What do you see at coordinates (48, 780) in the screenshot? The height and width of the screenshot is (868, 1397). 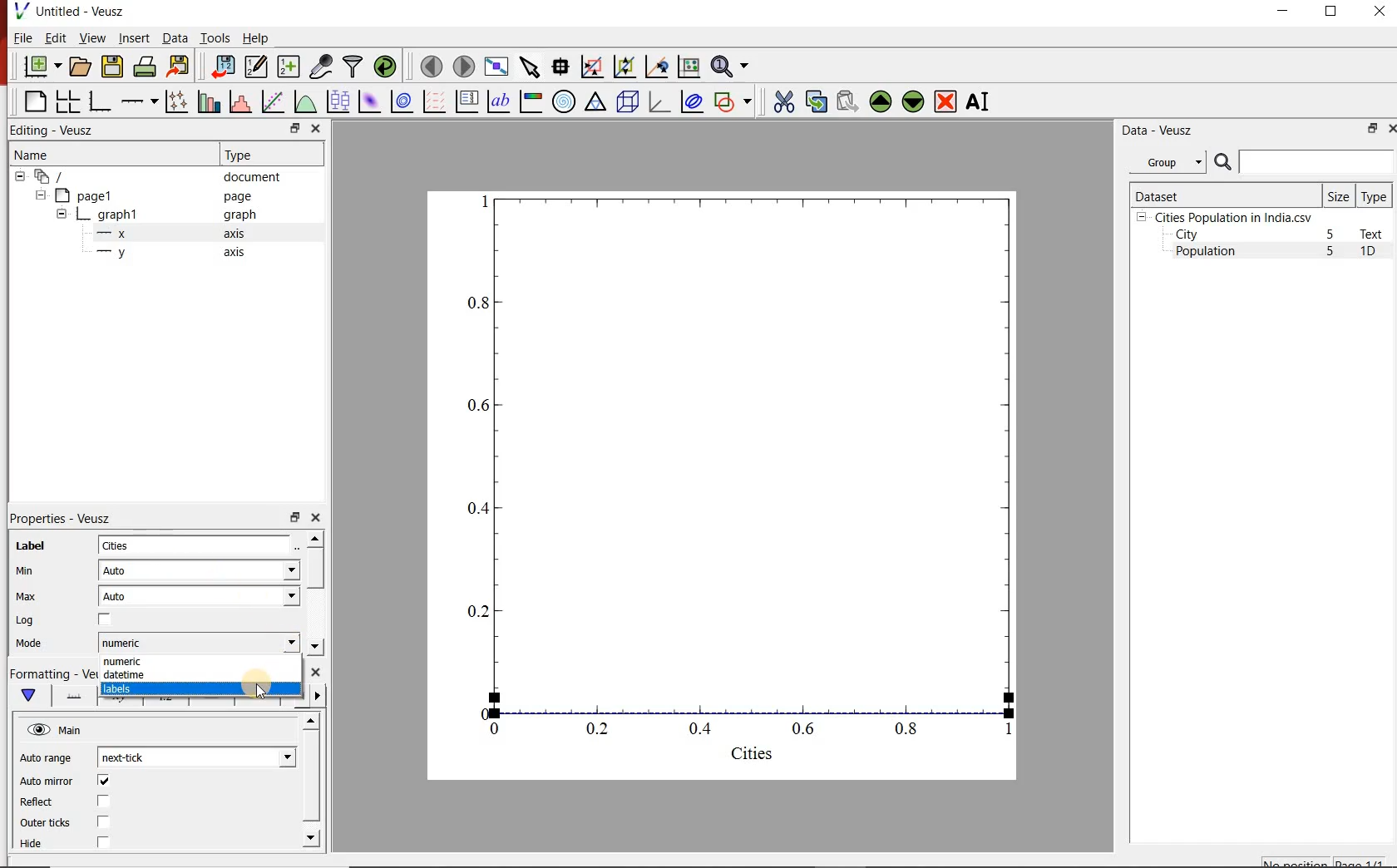 I see `Auto mirror` at bounding box center [48, 780].